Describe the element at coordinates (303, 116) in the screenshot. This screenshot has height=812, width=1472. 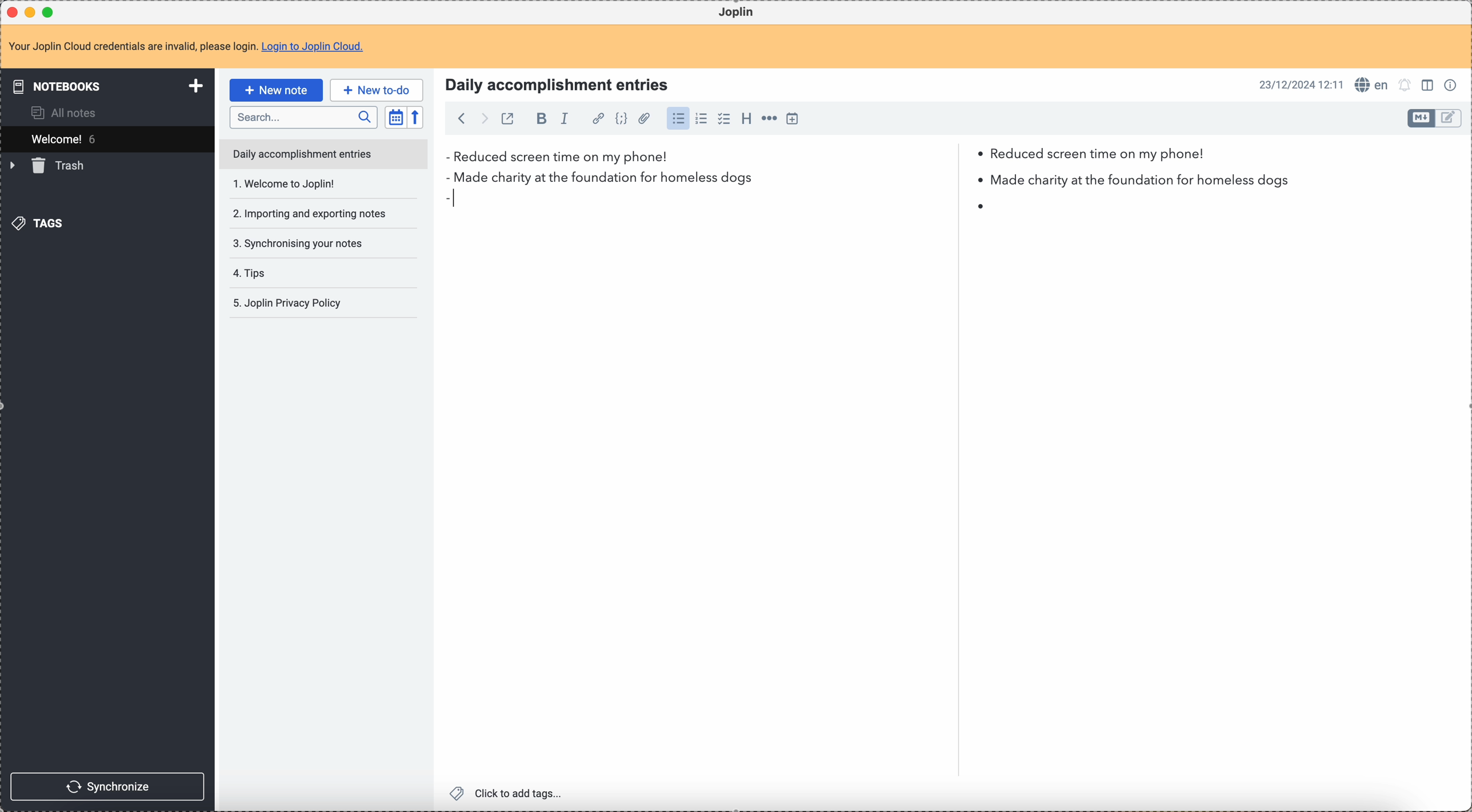
I see `search bar` at that location.